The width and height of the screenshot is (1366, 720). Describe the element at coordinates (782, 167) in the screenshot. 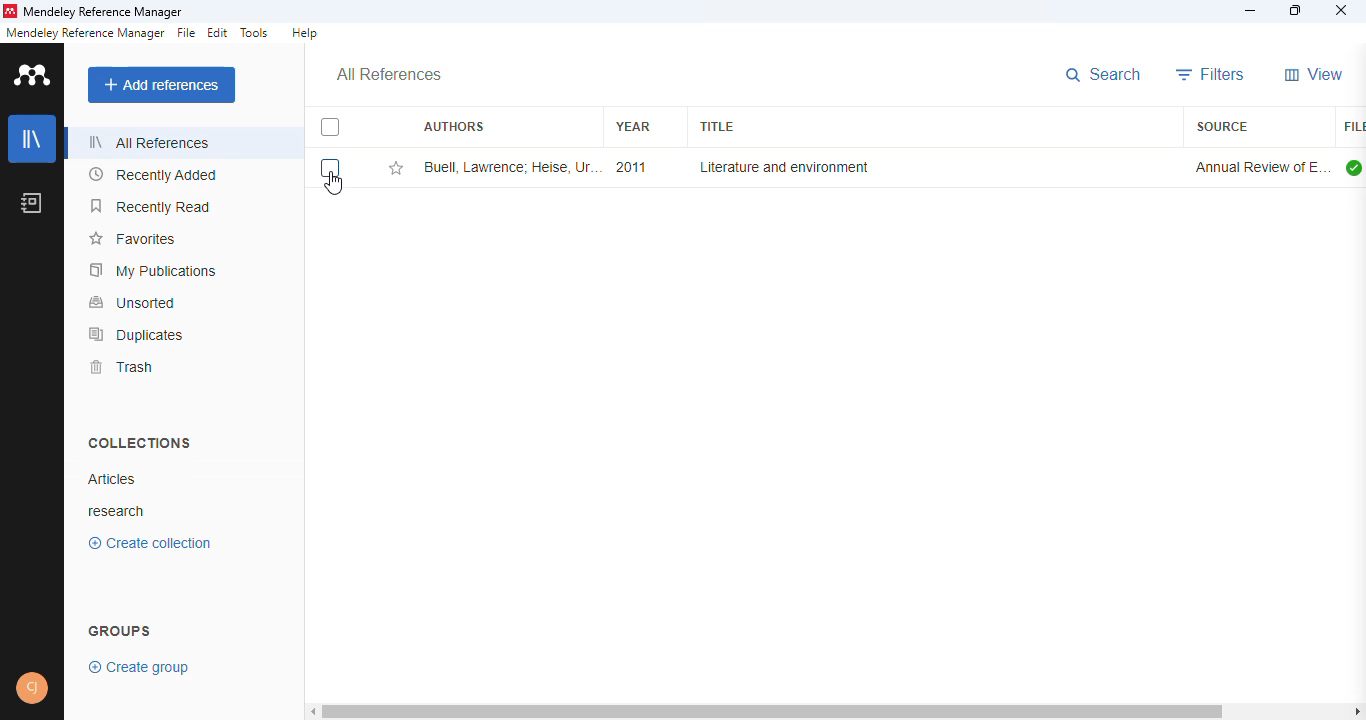

I see `literature and environment` at that location.